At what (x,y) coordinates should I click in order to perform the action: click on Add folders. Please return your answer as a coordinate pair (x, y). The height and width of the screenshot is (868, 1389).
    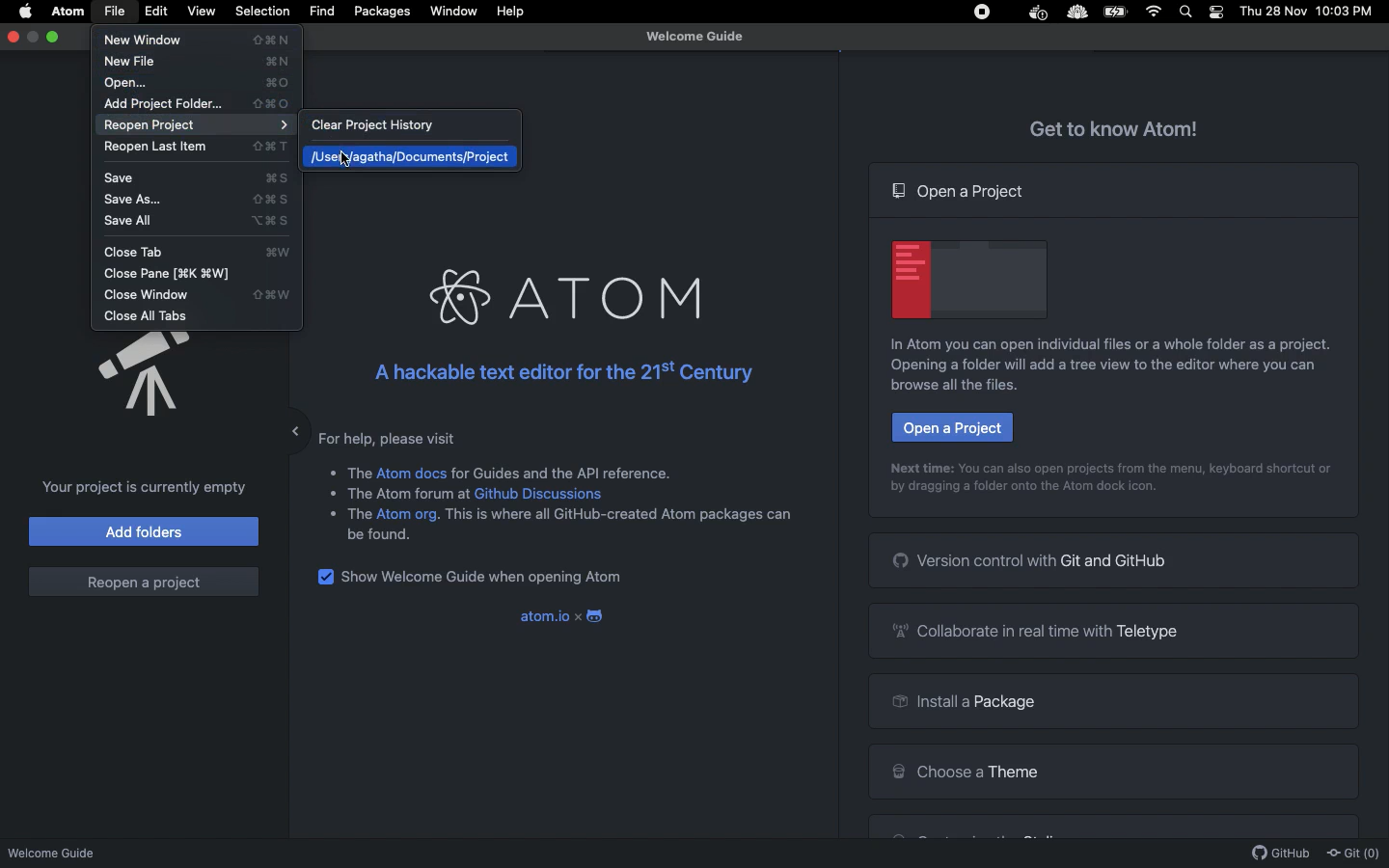
    Looking at the image, I should click on (145, 530).